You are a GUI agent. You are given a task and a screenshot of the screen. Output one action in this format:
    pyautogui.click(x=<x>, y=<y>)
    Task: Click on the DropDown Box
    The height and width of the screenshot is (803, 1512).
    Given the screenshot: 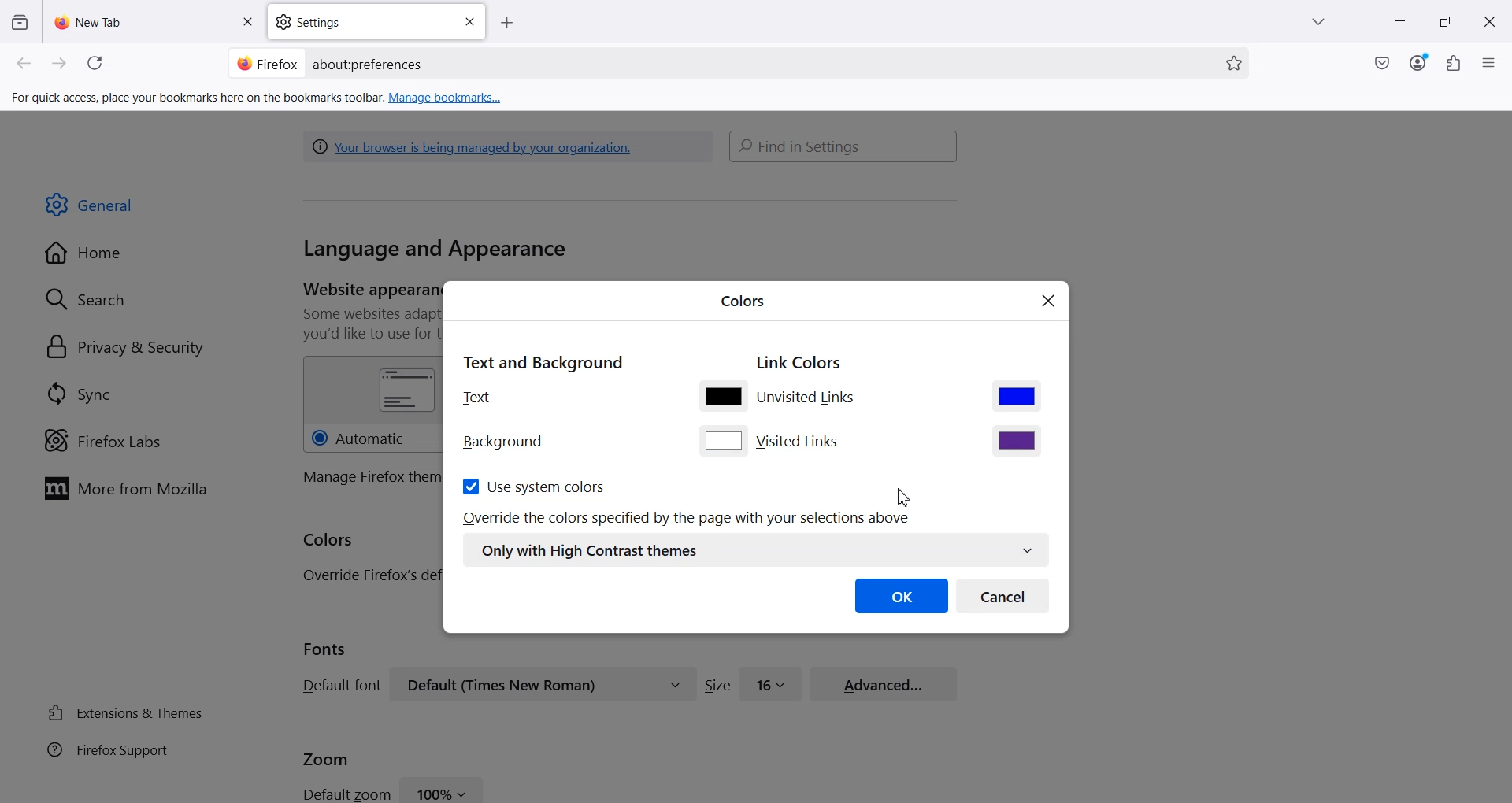 What is the action you would take?
    pyautogui.click(x=1322, y=22)
    